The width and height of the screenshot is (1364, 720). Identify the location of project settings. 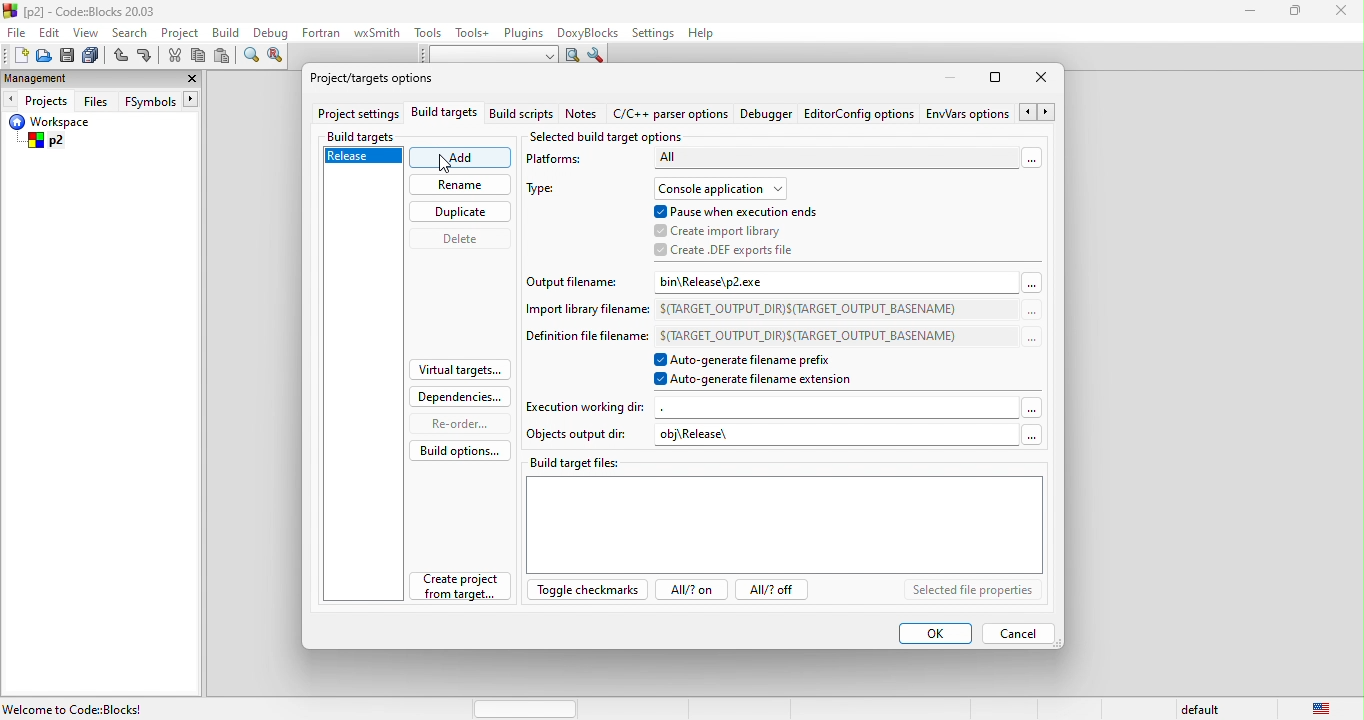
(357, 115).